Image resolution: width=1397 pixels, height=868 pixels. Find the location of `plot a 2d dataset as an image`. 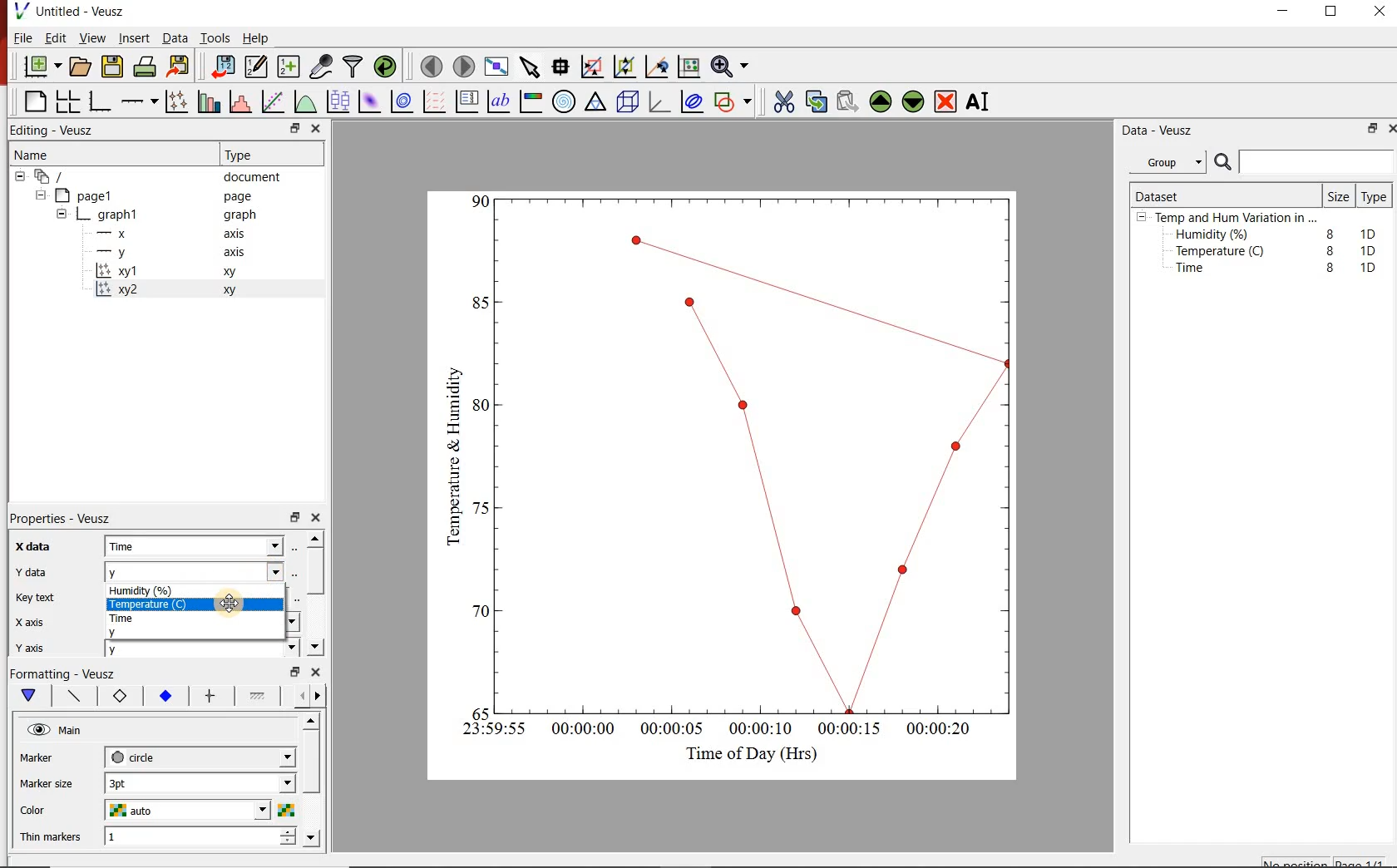

plot a 2d dataset as an image is located at coordinates (370, 102).